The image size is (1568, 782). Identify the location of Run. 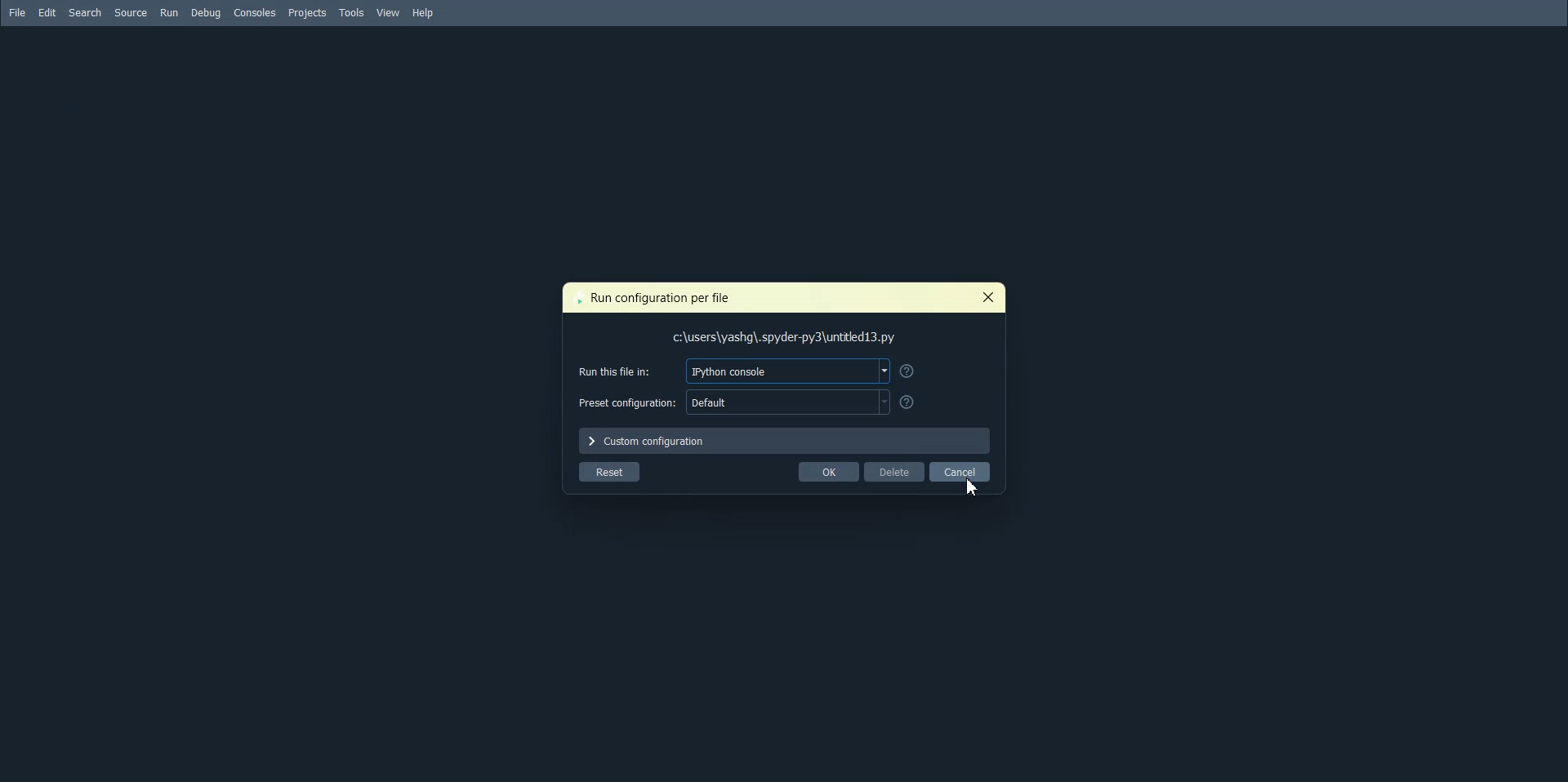
(169, 12).